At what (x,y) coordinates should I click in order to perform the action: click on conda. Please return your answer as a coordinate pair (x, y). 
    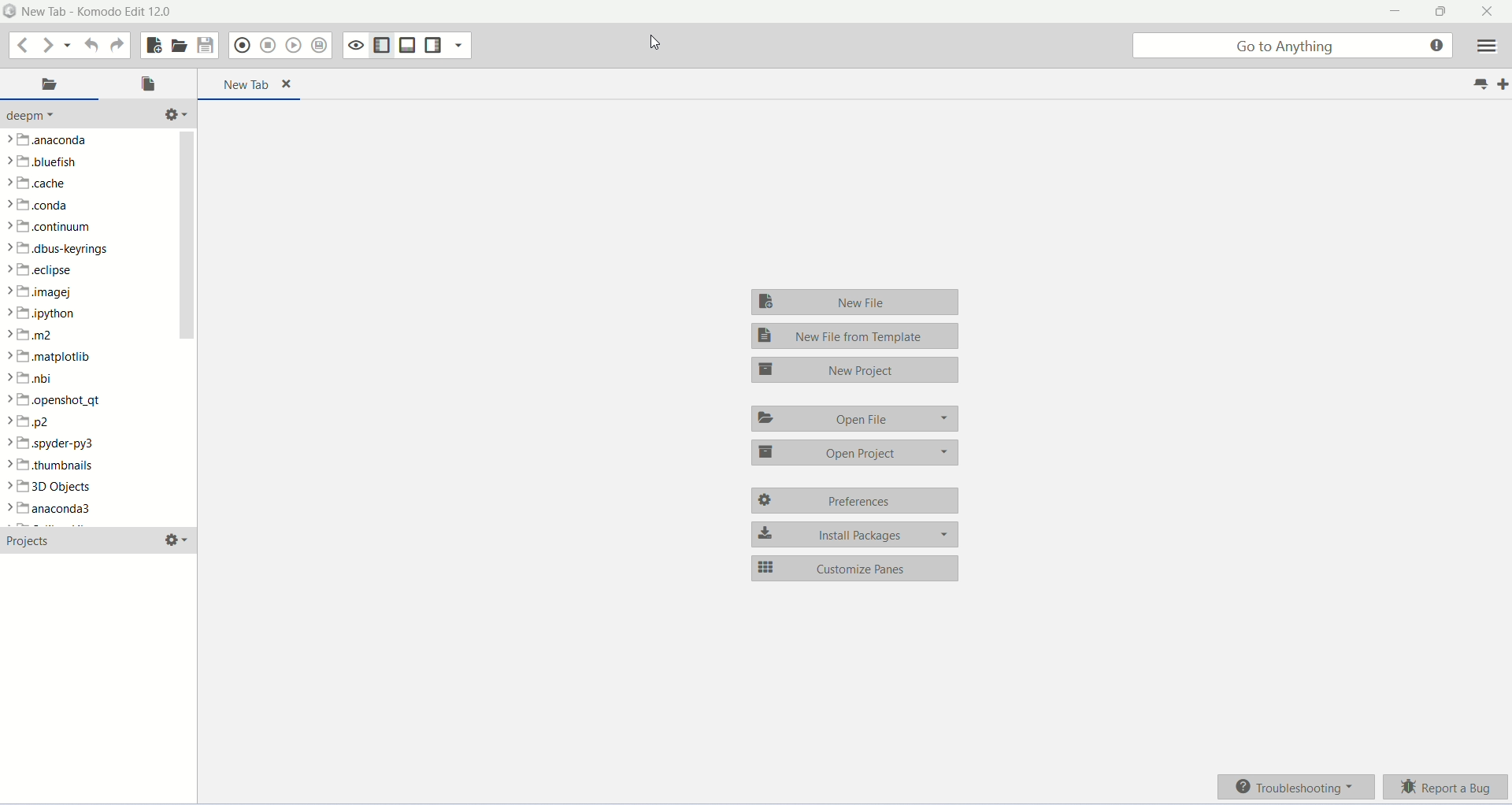
    Looking at the image, I should click on (40, 206).